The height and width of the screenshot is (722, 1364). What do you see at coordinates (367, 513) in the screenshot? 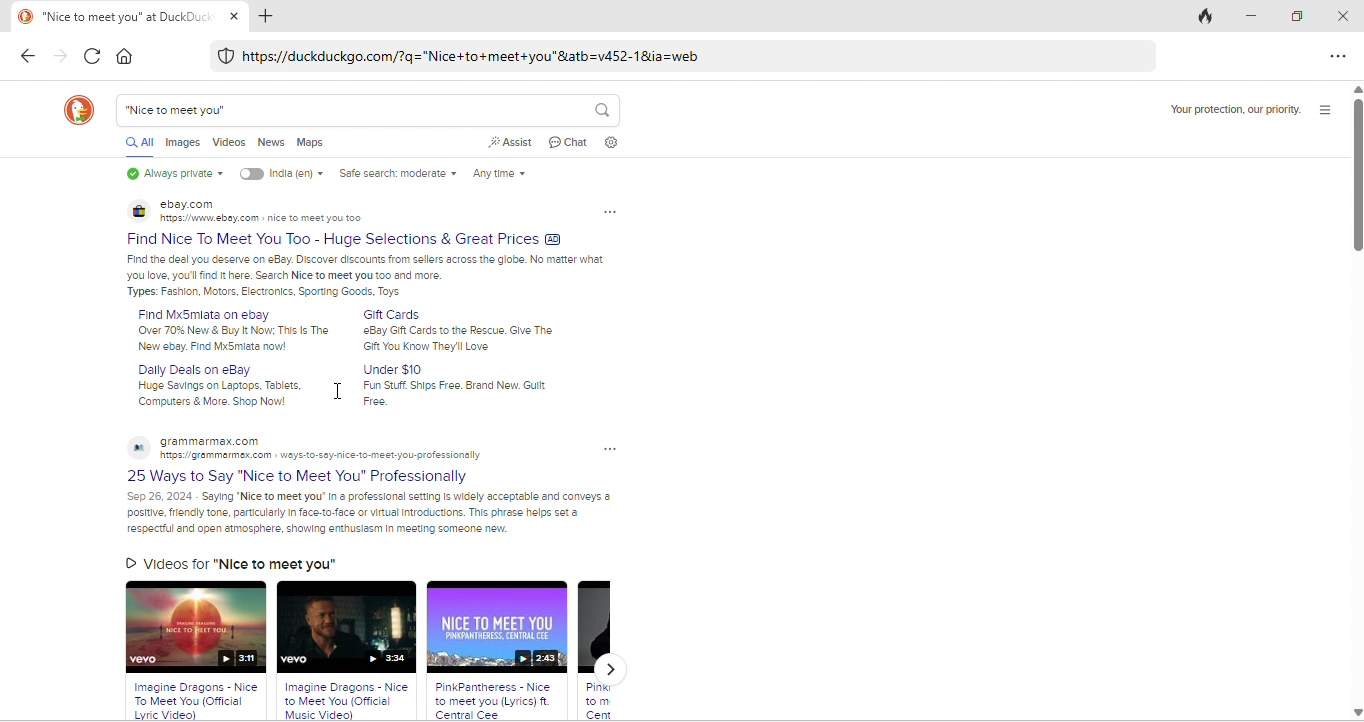
I see `25 Ways to Say "Nice to Meet You" Professionally

Sep 26.2024 - Saying "Nice to meet you" In 2 professional setting is widely acceptable and conveys &
poste. rend tone, parca i facetoace o ius rocco. Th vase helps Get &
Iespacti and open atmosphere, showing enthusiasm In MSting Someone new.` at bounding box center [367, 513].